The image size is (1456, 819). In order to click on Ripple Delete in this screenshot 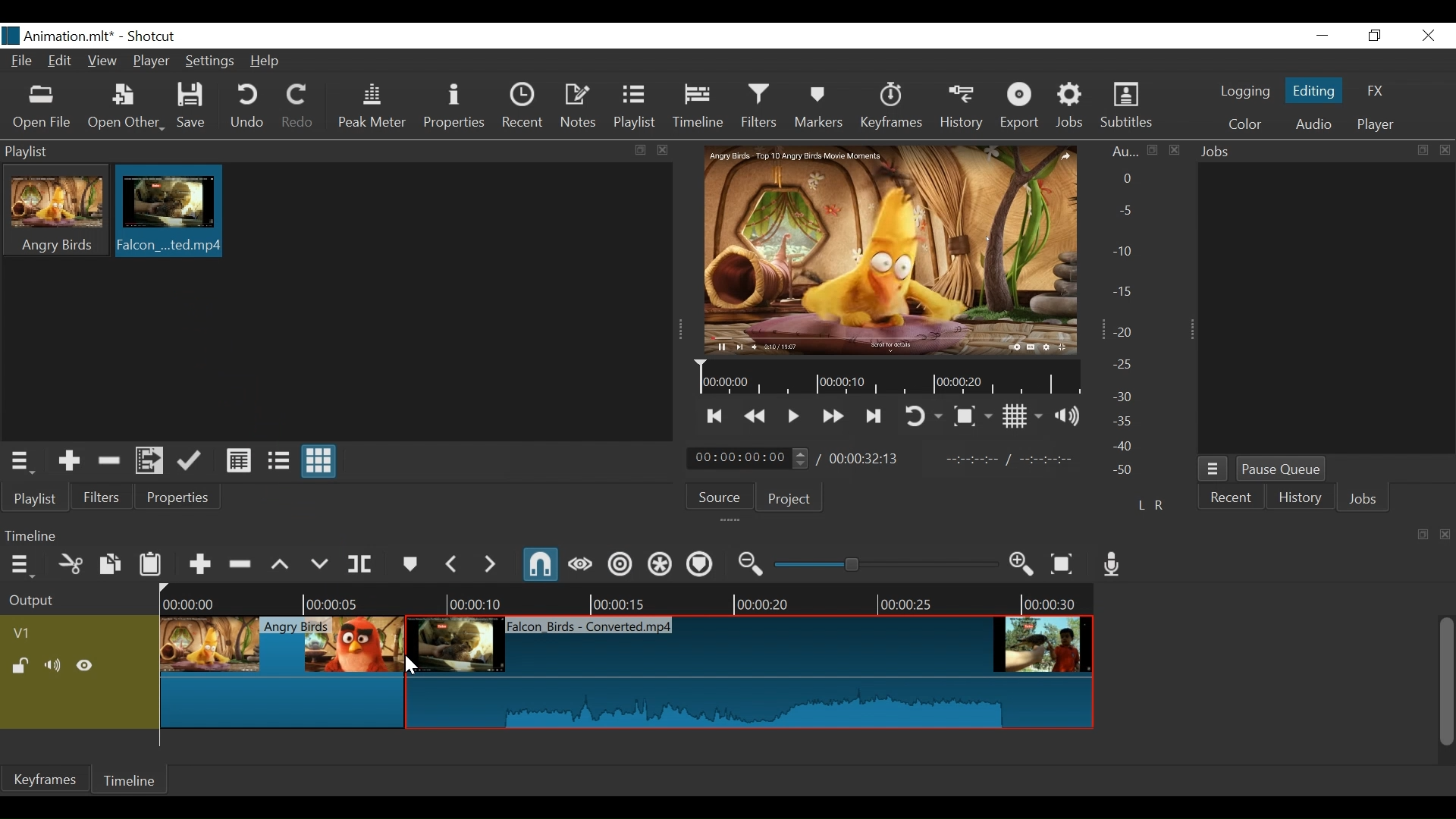, I will do `click(242, 562)`.